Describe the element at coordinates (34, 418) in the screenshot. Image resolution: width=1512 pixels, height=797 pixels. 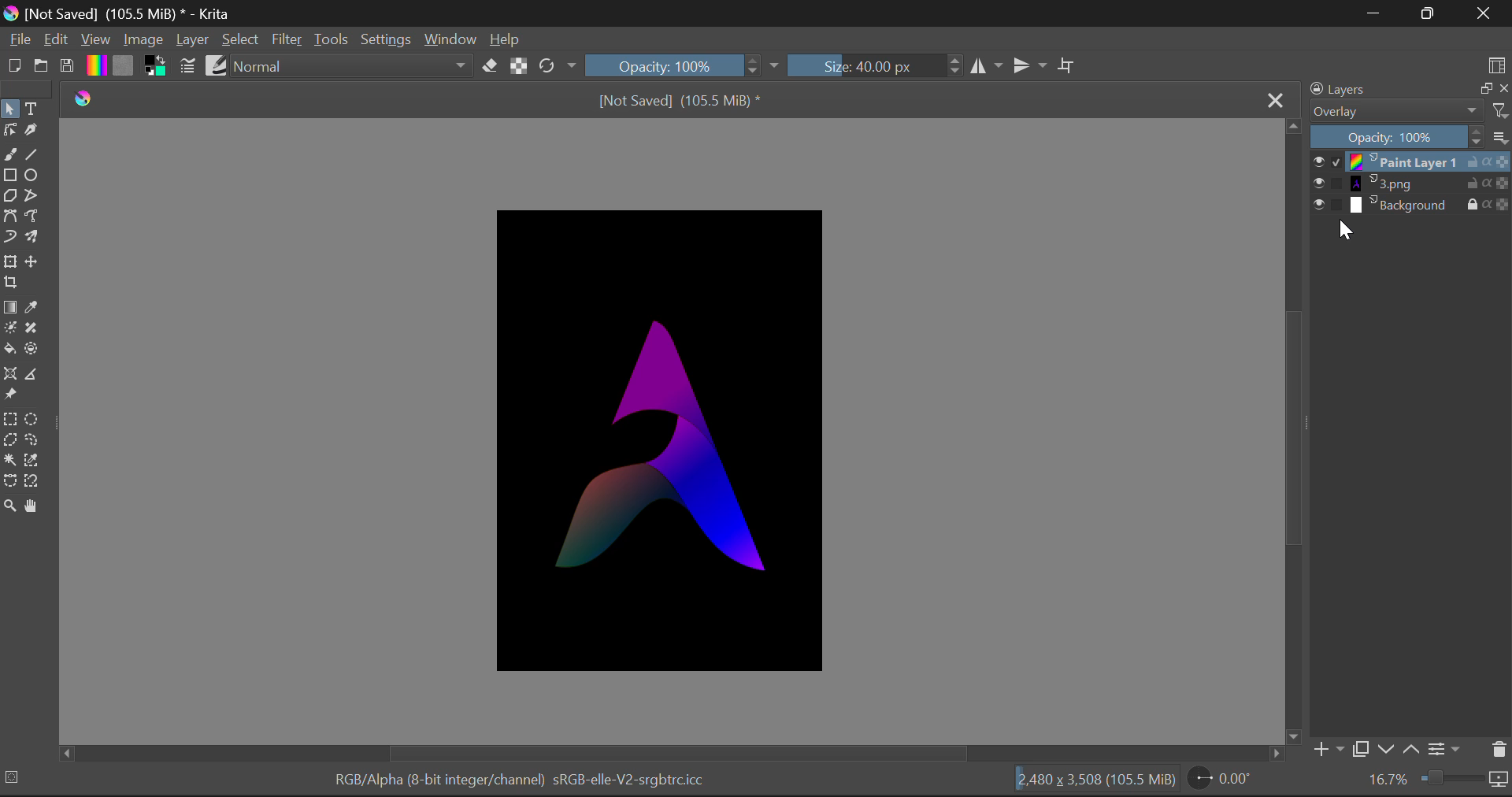
I see `Circular Selection` at that location.